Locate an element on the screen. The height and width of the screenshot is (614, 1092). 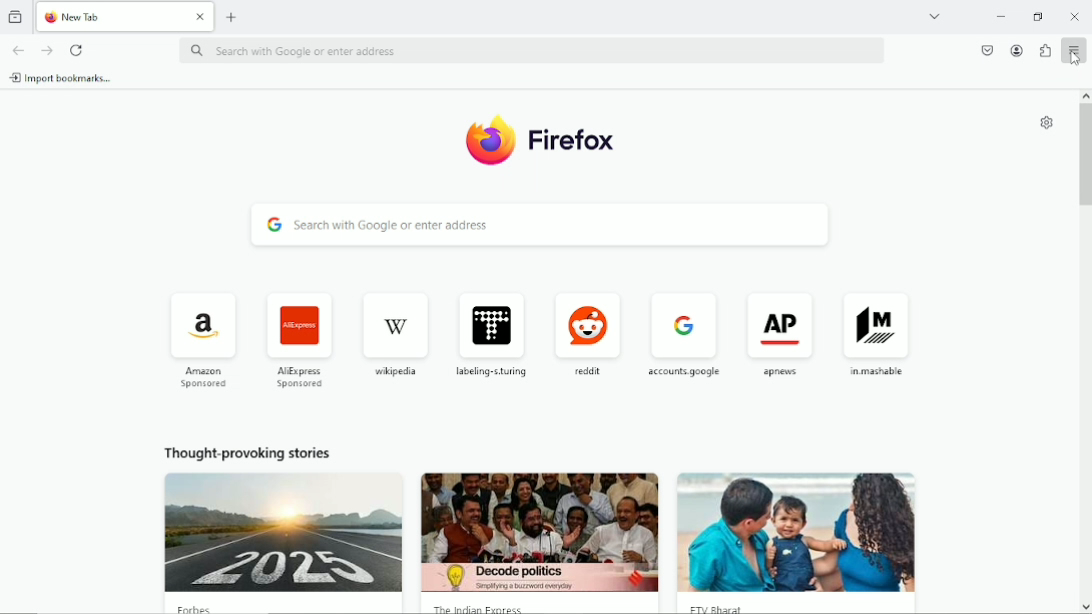
AliExpress is located at coordinates (299, 338).